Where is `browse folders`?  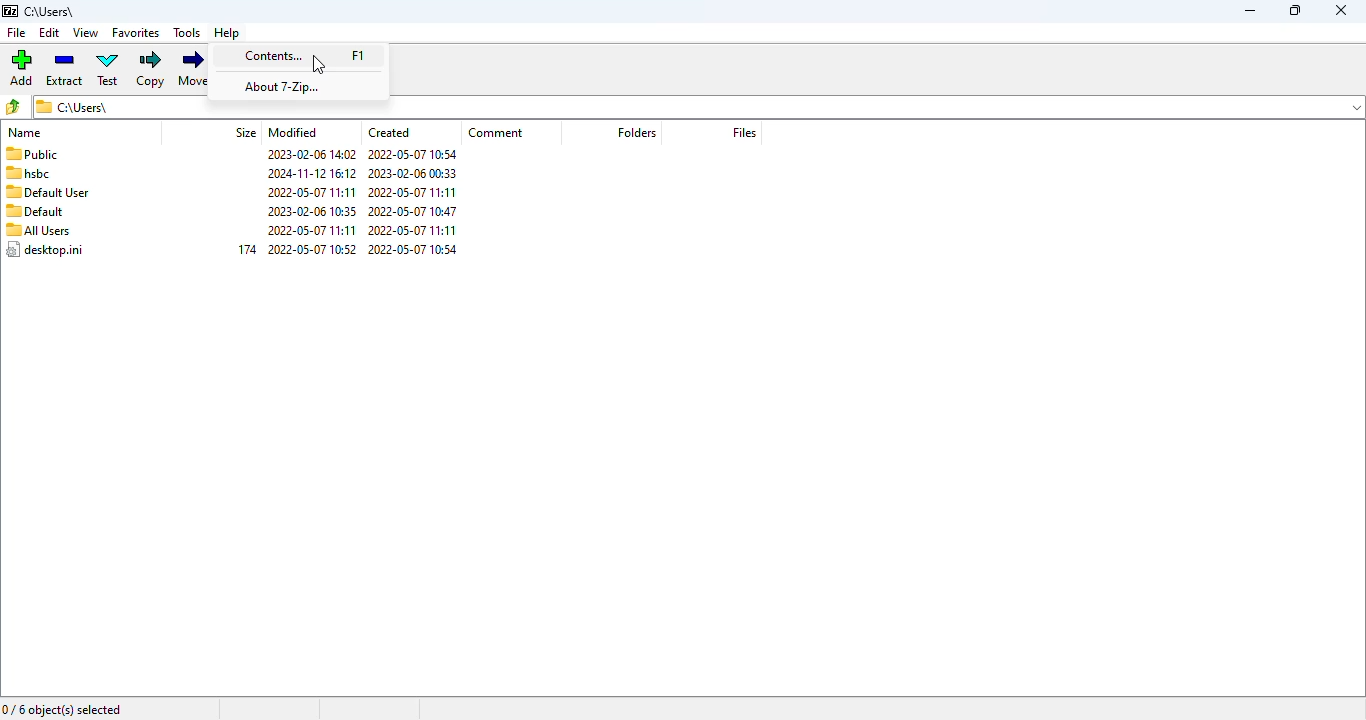
browse folders is located at coordinates (13, 107).